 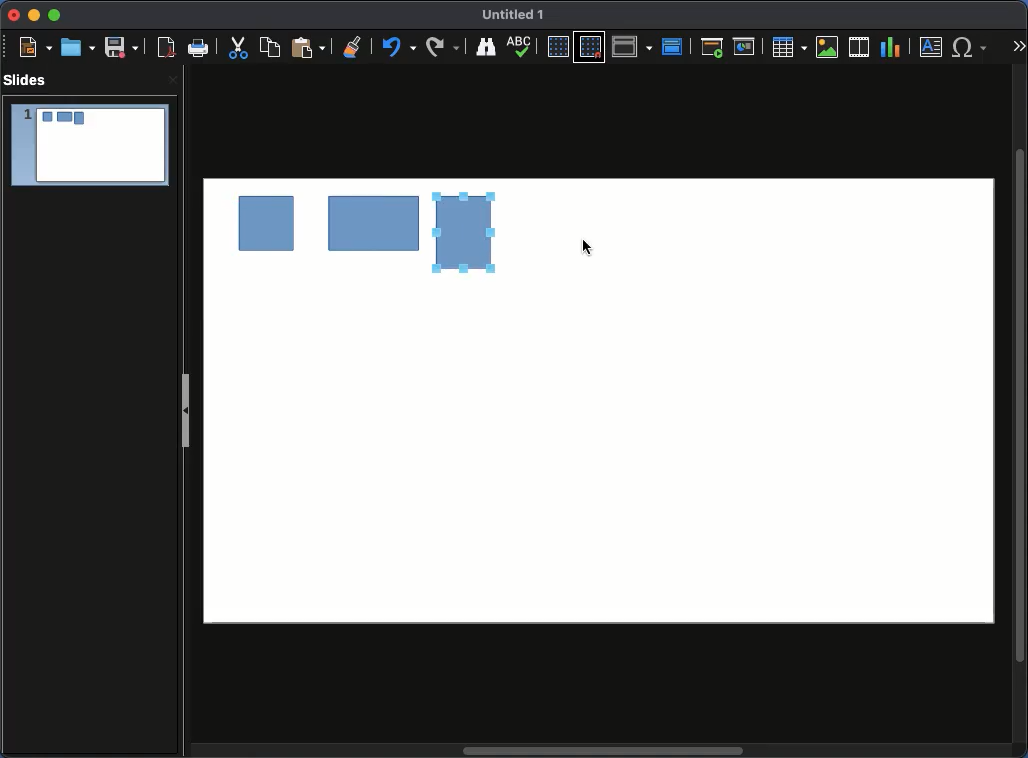 I want to click on Cut, so click(x=239, y=49).